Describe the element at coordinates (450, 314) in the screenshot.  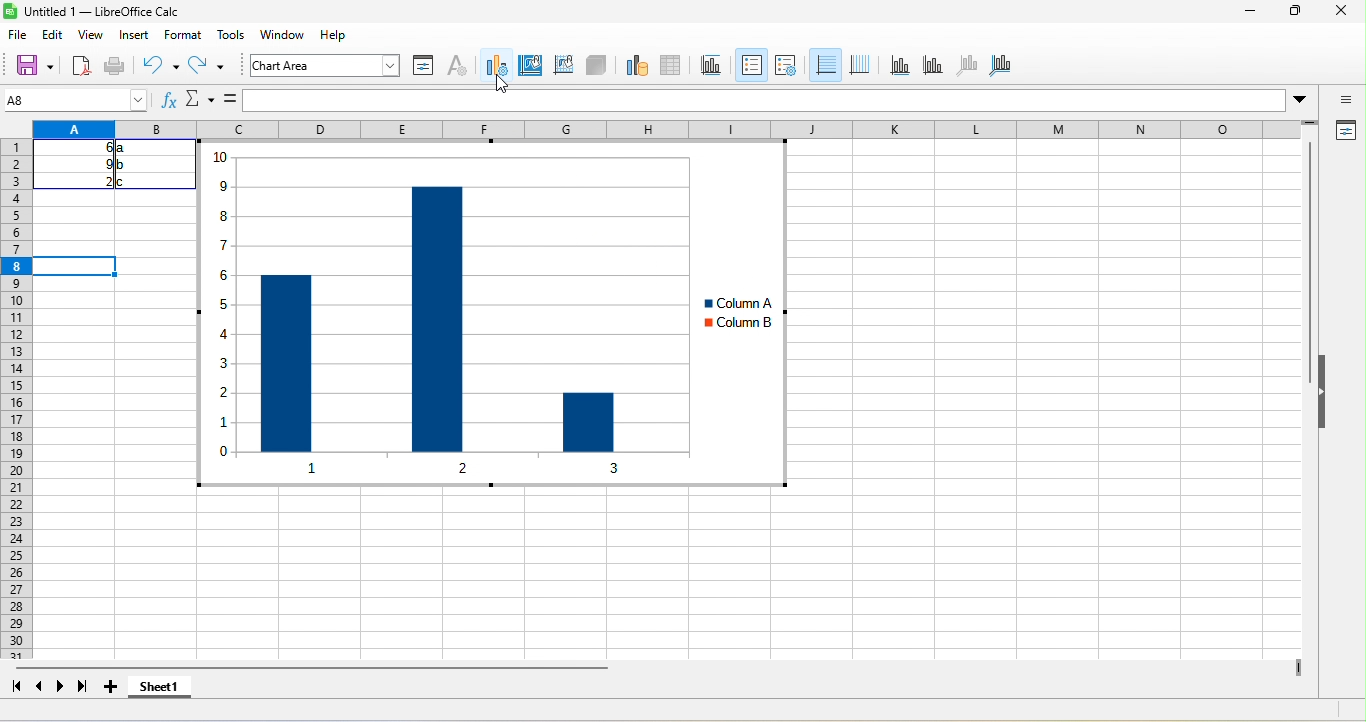
I see `chart` at that location.